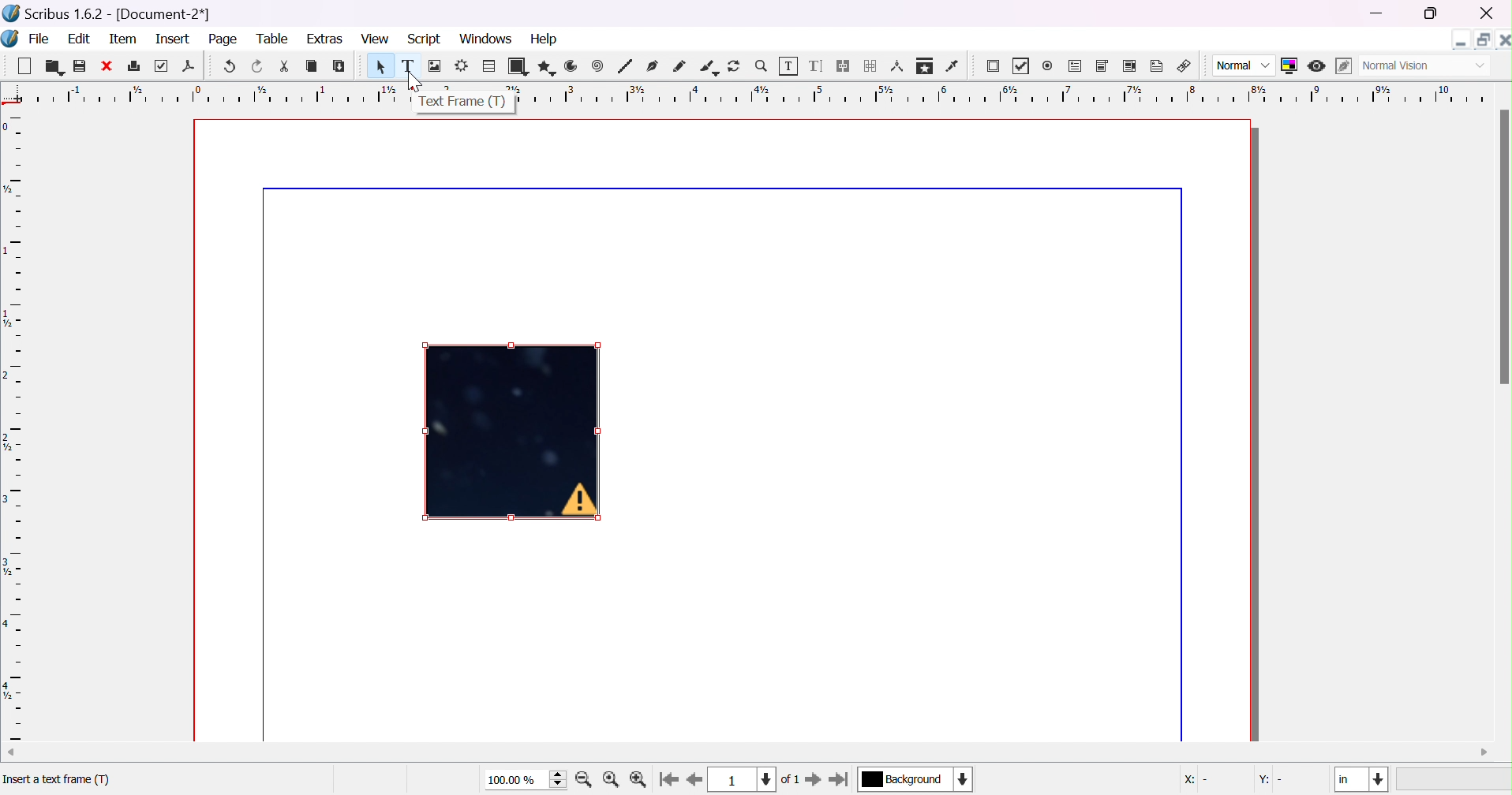 This screenshot has height=795, width=1512. Describe the element at coordinates (924, 65) in the screenshot. I see `copy item properties` at that location.